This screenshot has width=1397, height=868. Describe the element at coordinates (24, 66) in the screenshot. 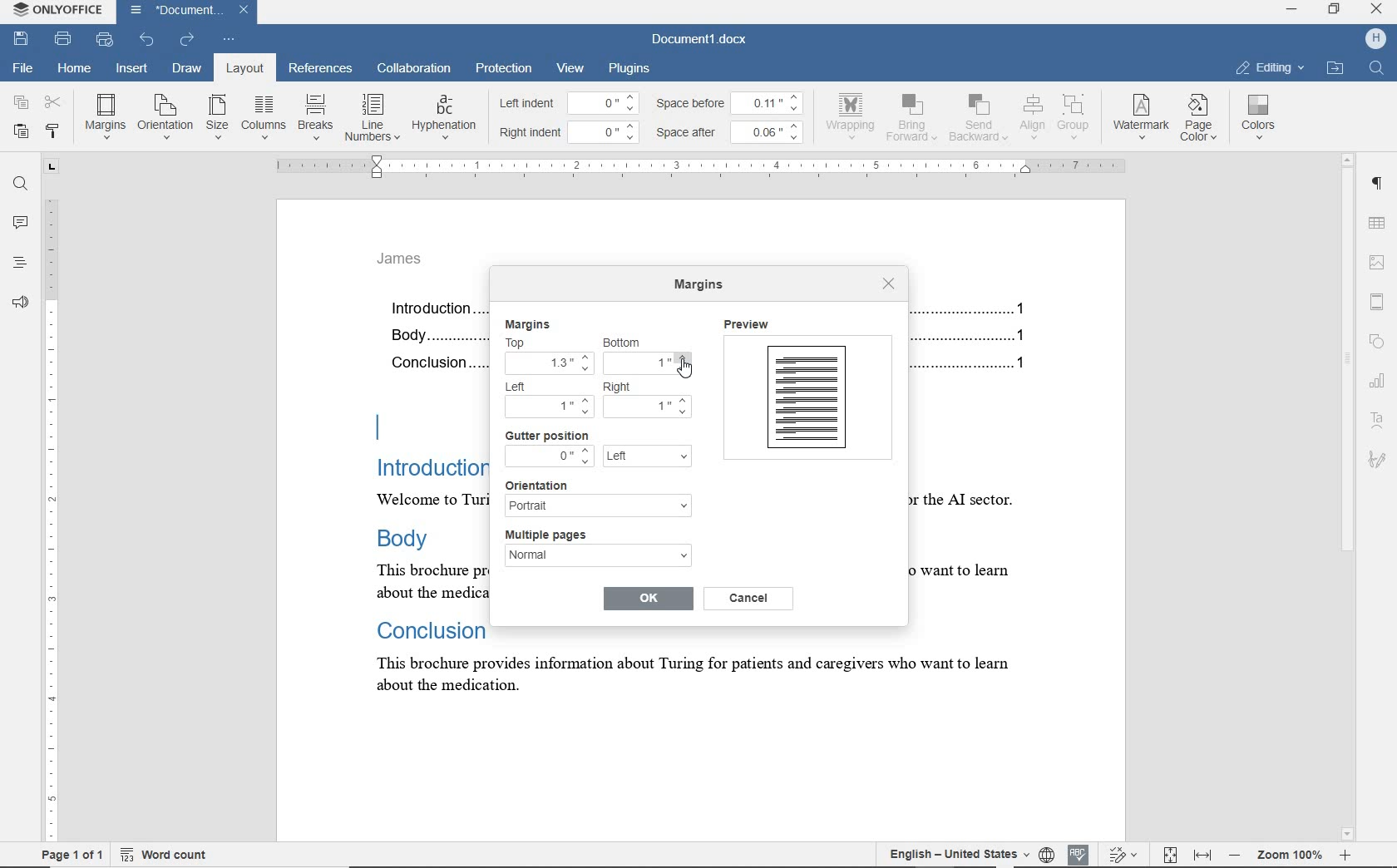

I see `file` at that location.